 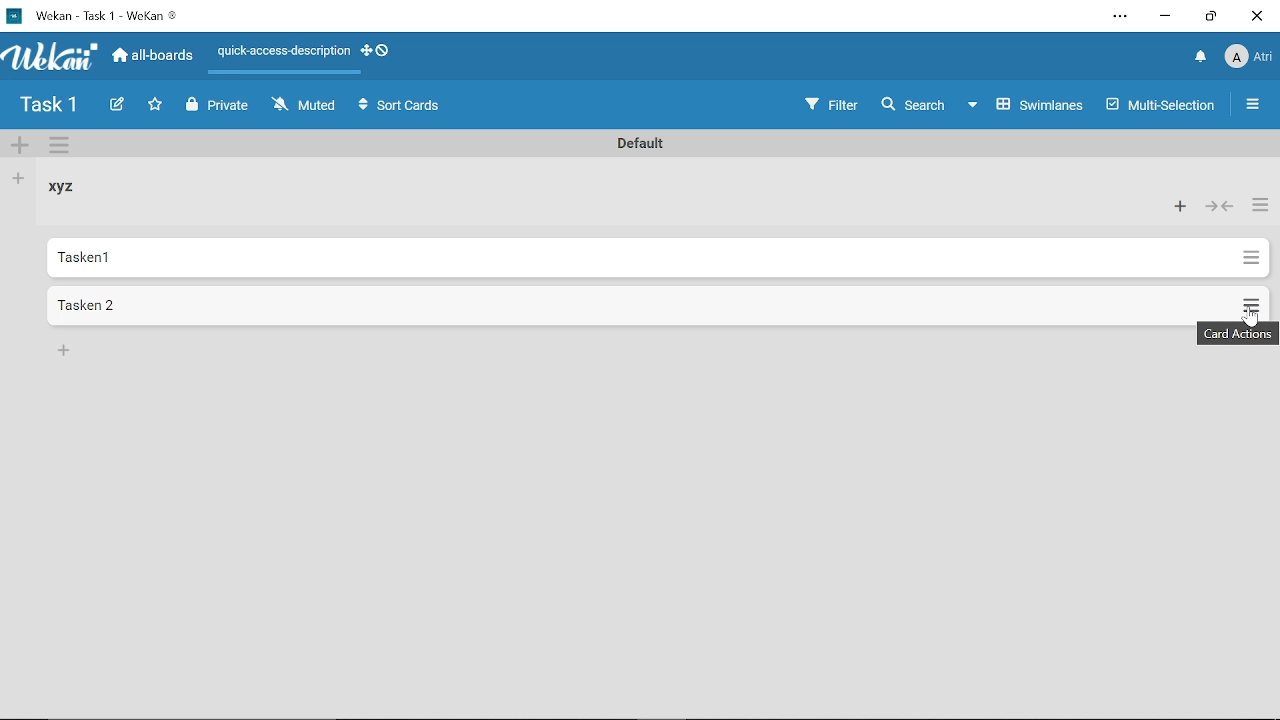 I want to click on Restore down, so click(x=1208, y=17).